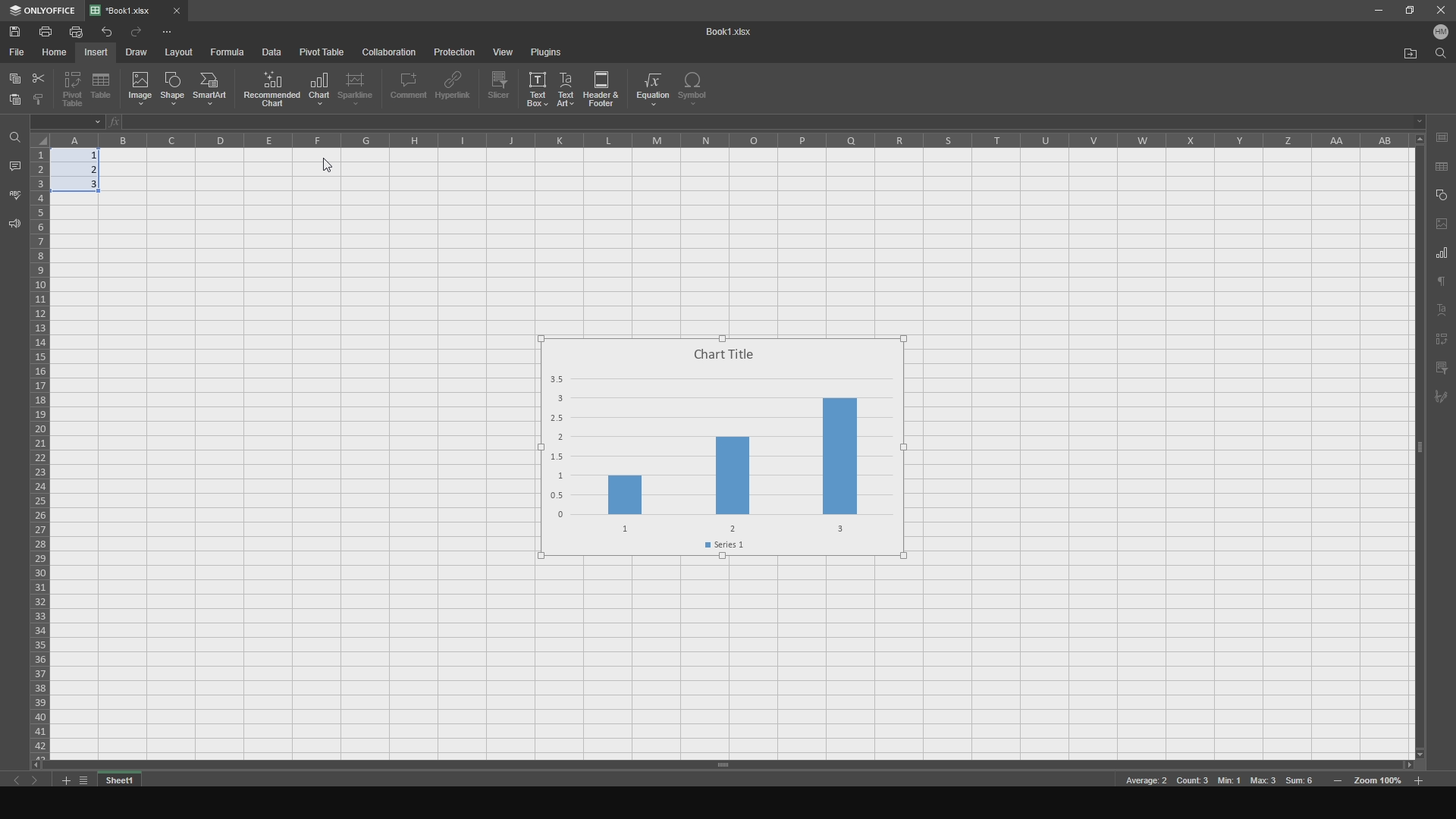 This screenshot has height=819, width=1456. Describe the element at coordinates (1442, 136) in the screenshot. I see `save` at that location.